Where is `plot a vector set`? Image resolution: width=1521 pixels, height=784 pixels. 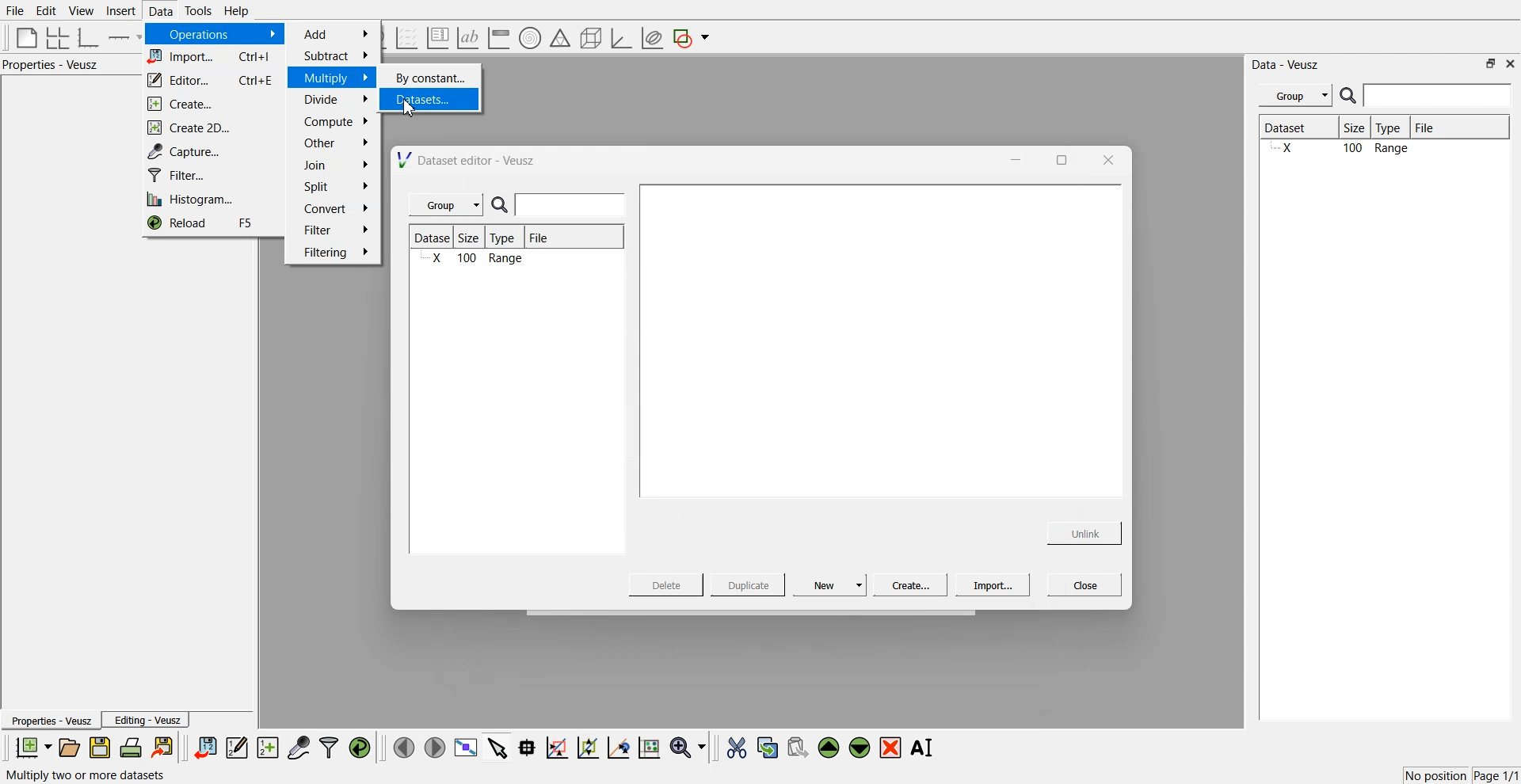
plot a vector set is located at coordinates (408, 38).